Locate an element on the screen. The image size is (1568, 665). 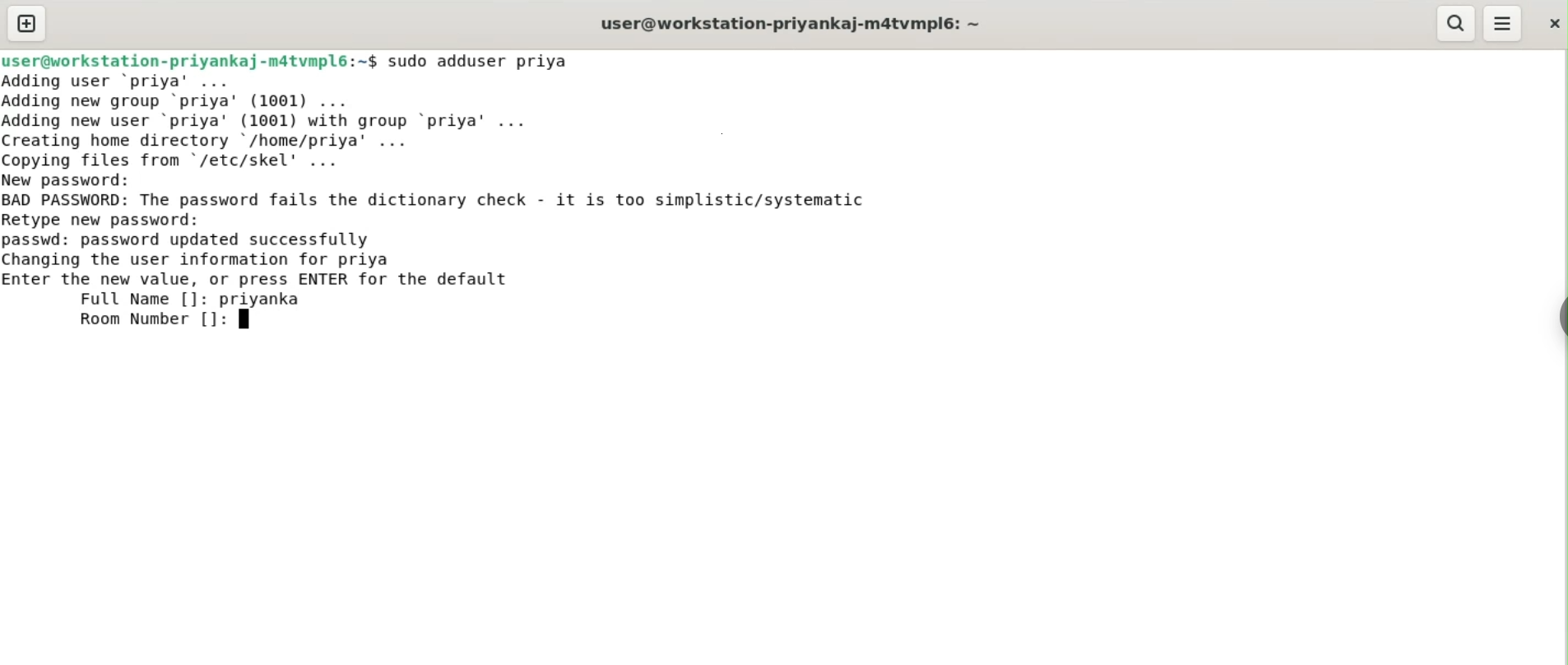
priyanka is located at coordinates (264, 299).